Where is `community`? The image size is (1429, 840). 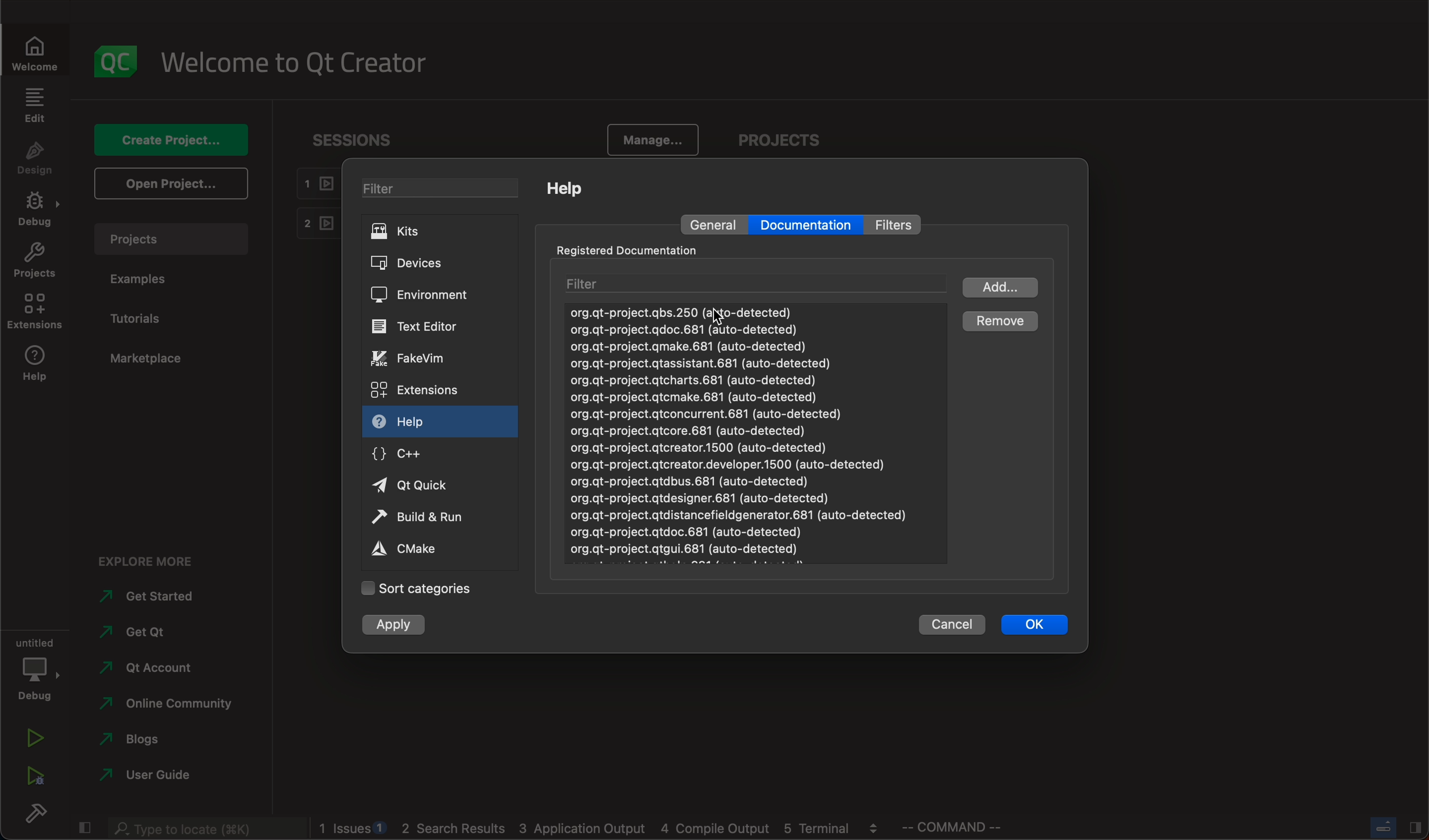
community is located at coordinates (166, 706).